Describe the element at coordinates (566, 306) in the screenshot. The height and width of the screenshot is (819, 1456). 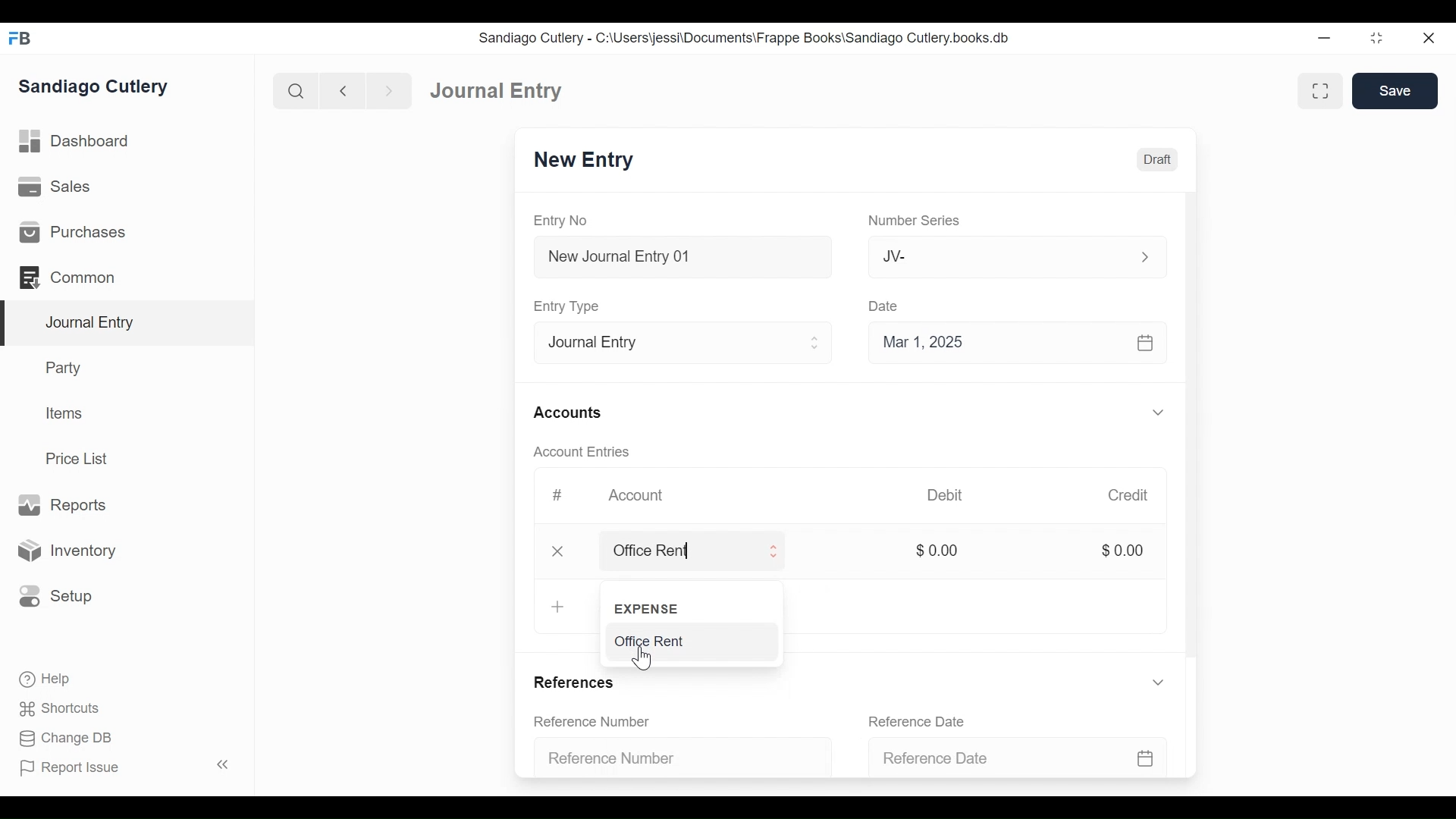
I see `Entry Type` at that location.